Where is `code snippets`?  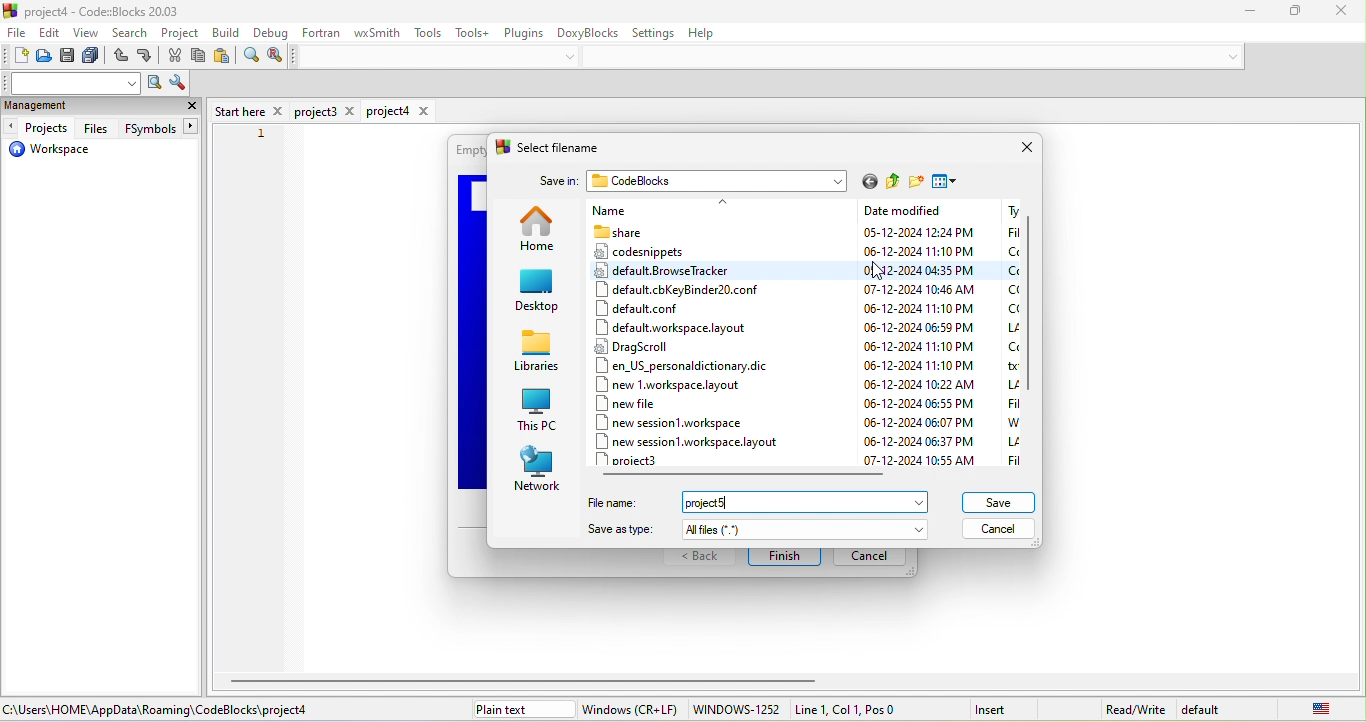
code snippets is located at coordinates (642, 254).